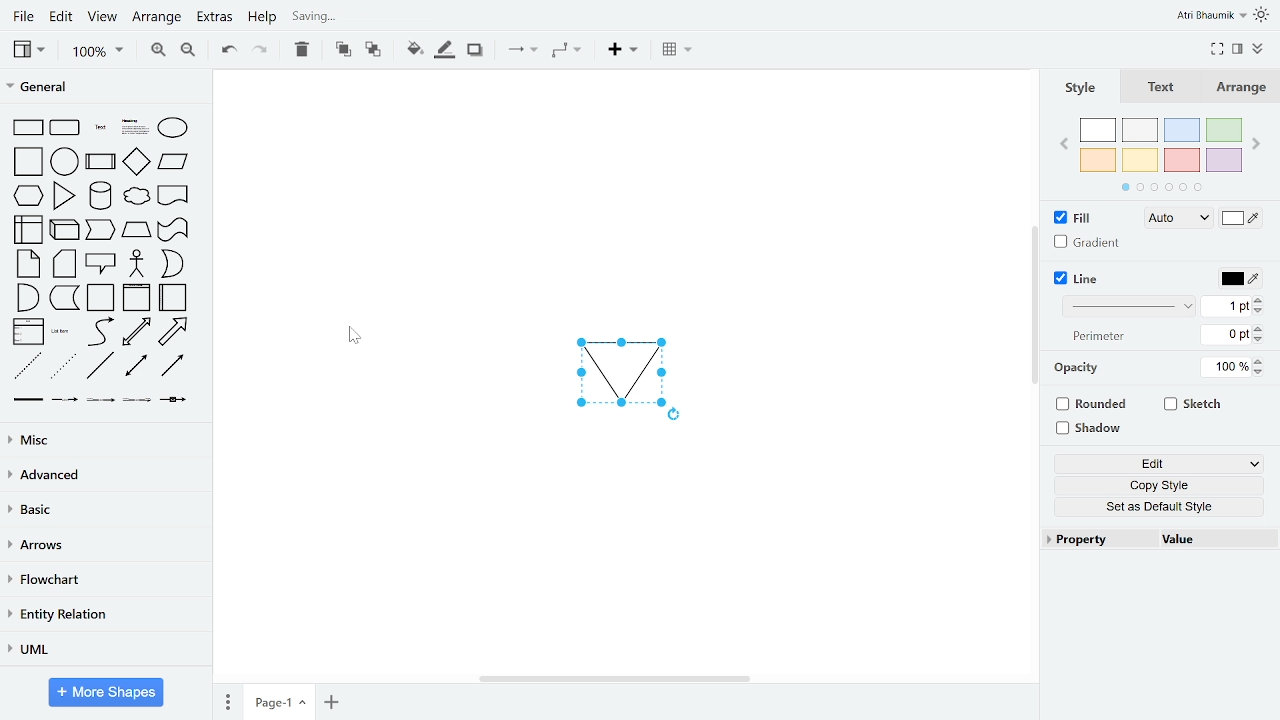 This screenshot has height=720, width=1280. I want to click on and, so click(26, 298).